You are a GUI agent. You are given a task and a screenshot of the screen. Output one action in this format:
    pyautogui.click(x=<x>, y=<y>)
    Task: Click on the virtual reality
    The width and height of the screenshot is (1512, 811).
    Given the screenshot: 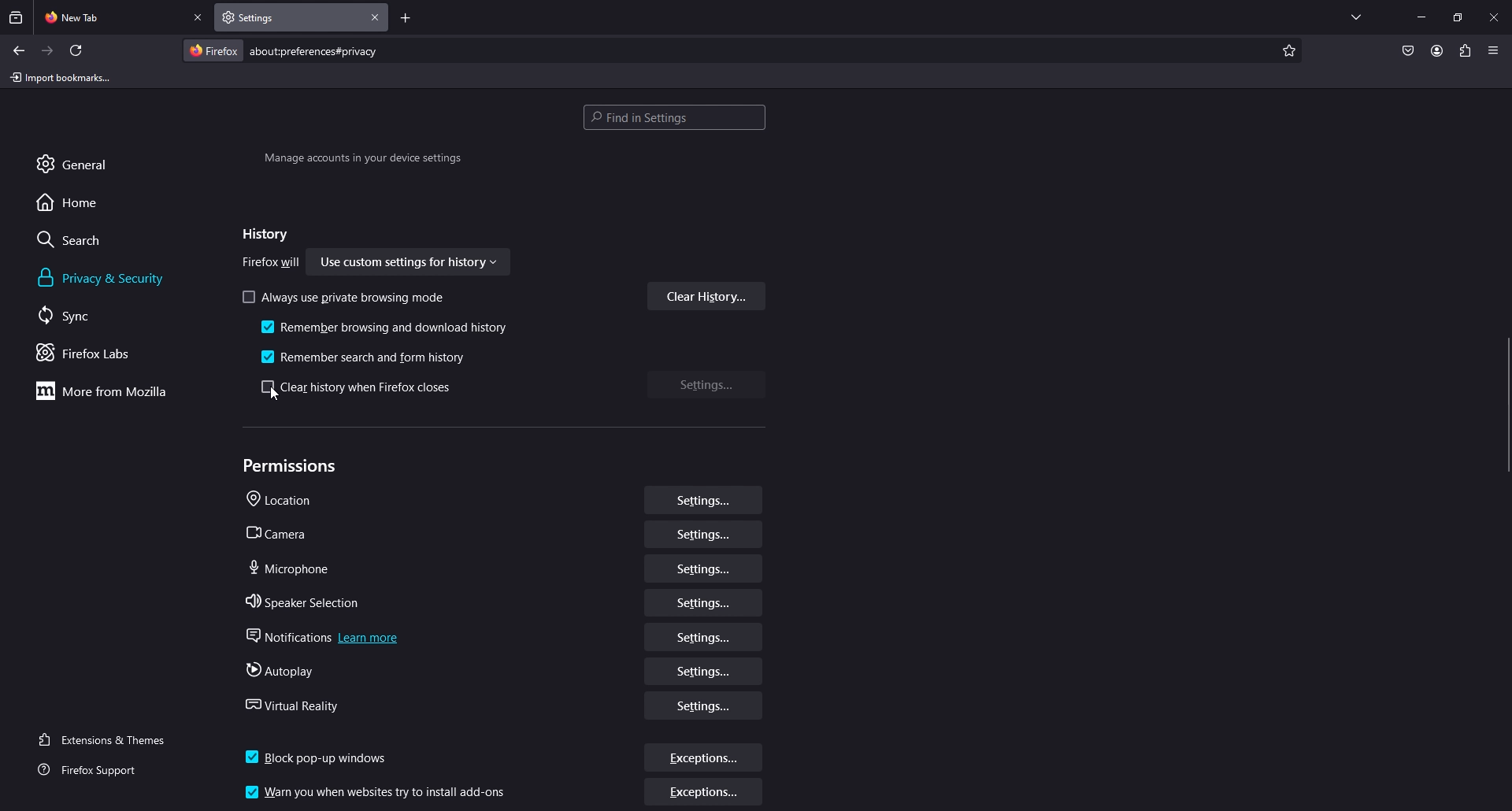 What is the action you would take?
    pyautogui.click(x=298, y=703)
    